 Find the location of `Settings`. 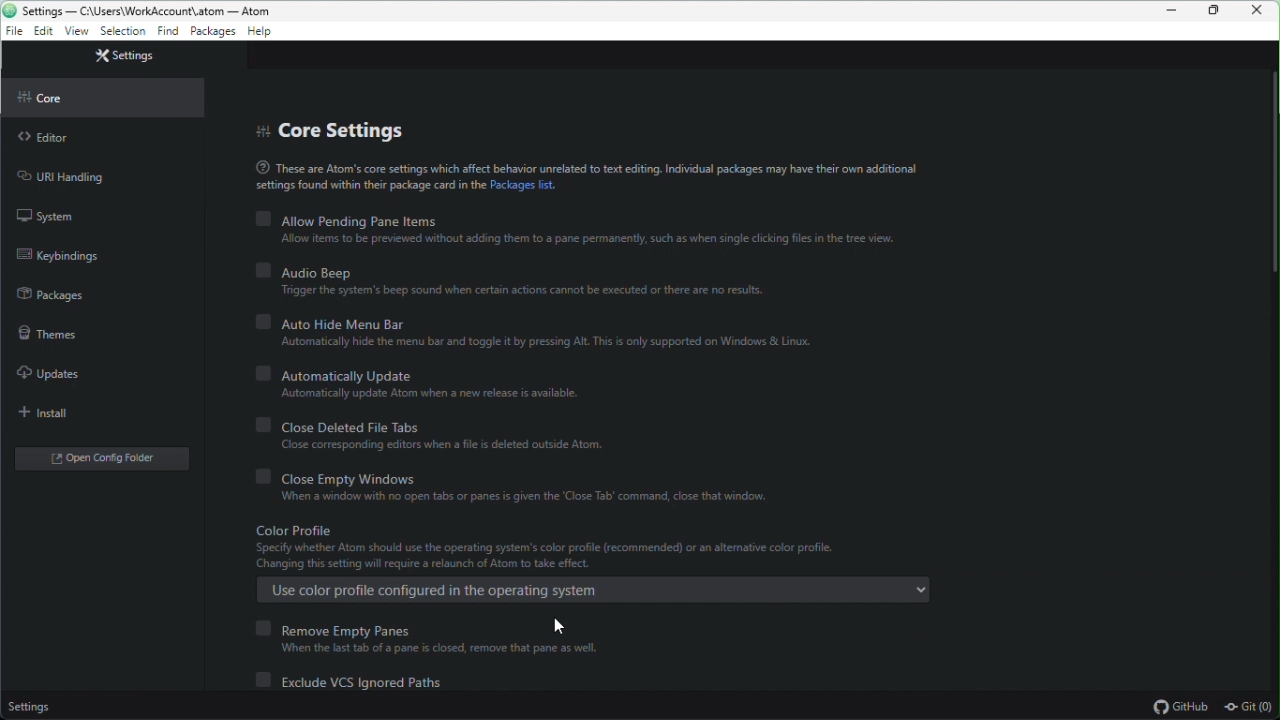

Settings is located at coordinates (30, 709).